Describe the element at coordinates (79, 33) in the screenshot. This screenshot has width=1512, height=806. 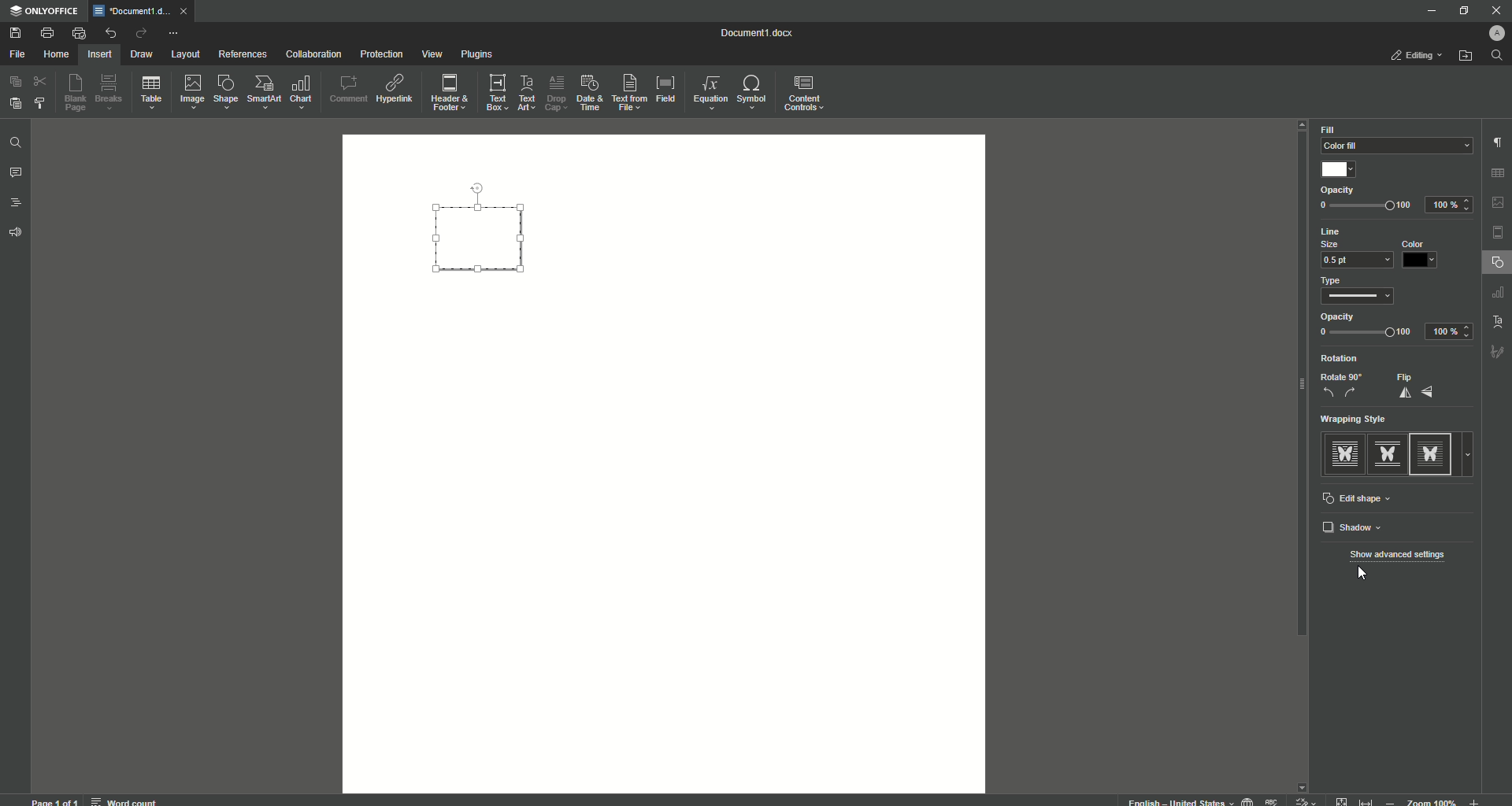
I see `Quick Print` at that location.